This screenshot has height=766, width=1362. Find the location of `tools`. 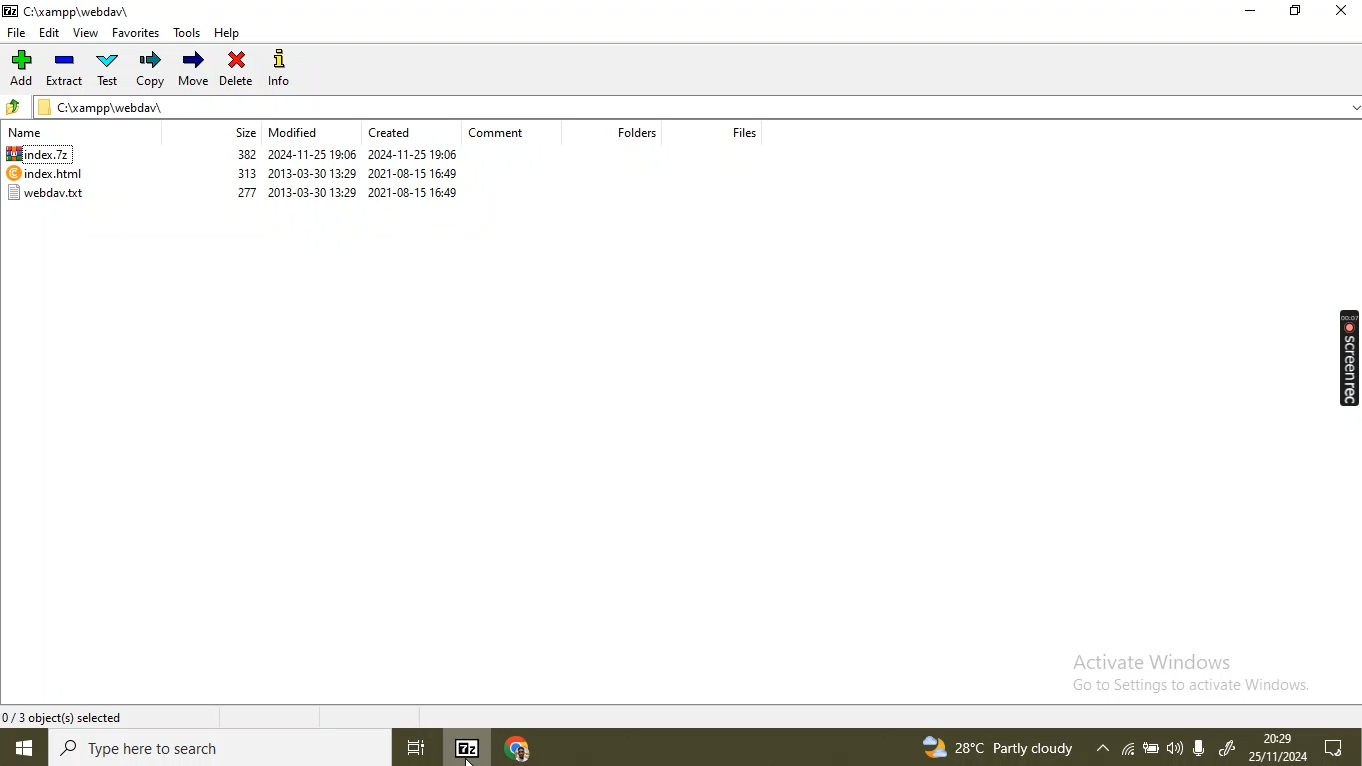

tools is located at coordinates (186, 33).